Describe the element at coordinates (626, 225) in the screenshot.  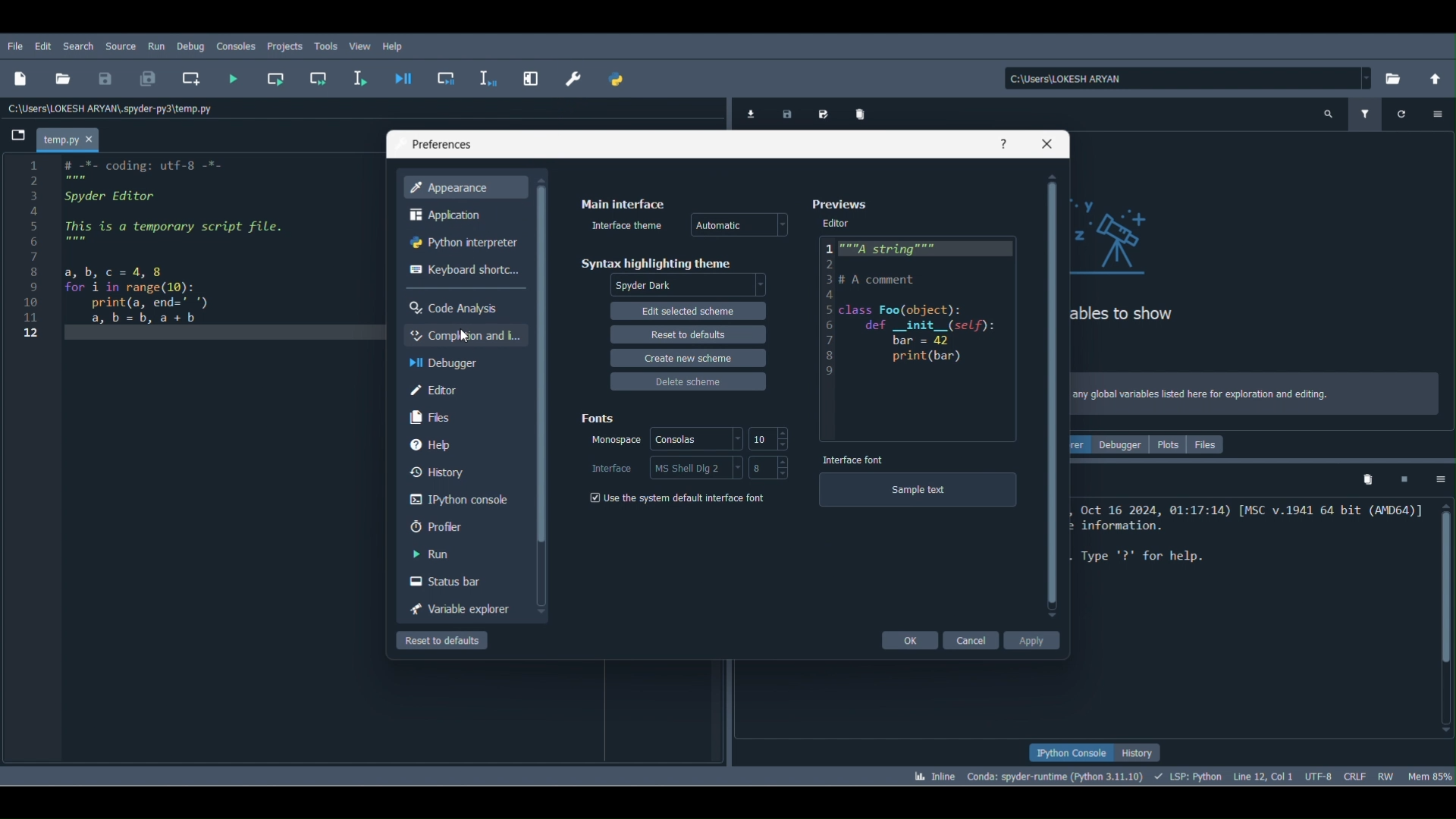
I see `Interface theme` at that location.